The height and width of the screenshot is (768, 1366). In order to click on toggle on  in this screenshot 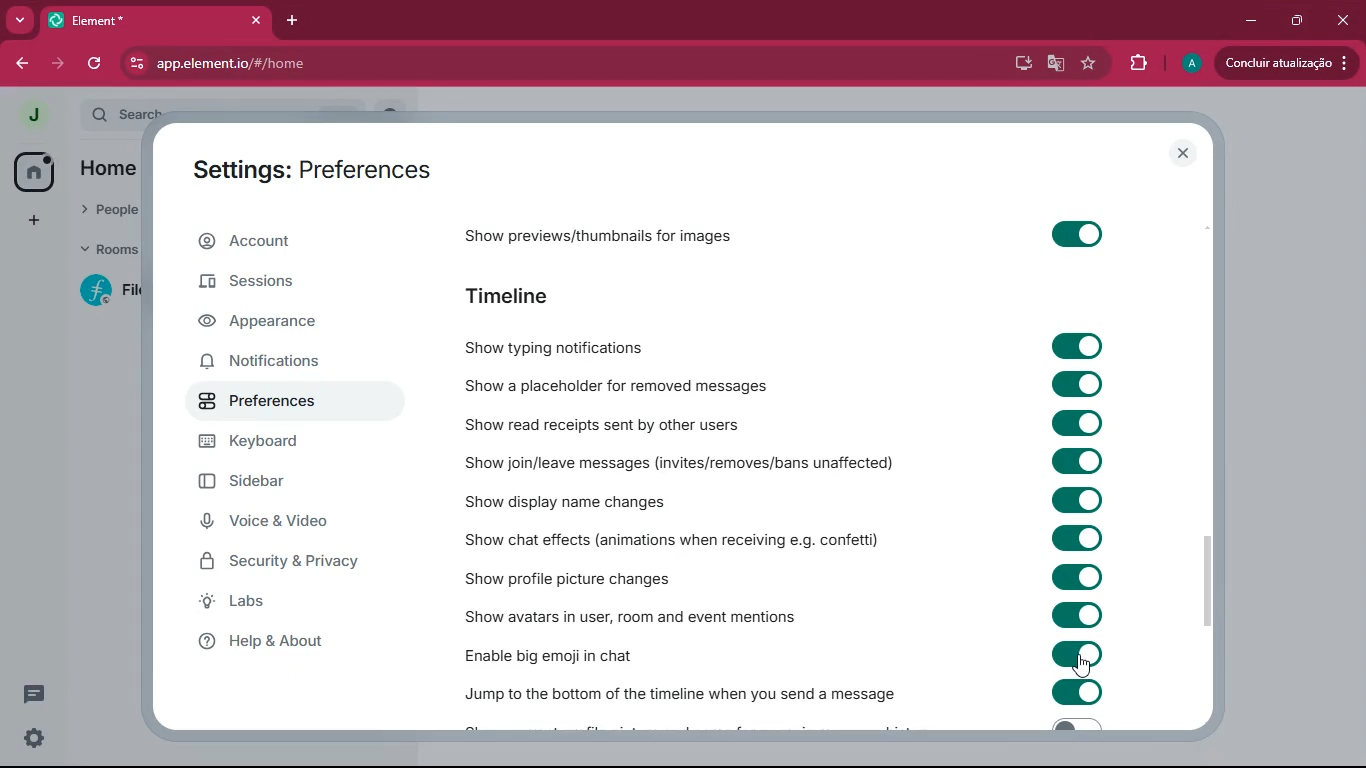, I will do `click(1080, 345)`.